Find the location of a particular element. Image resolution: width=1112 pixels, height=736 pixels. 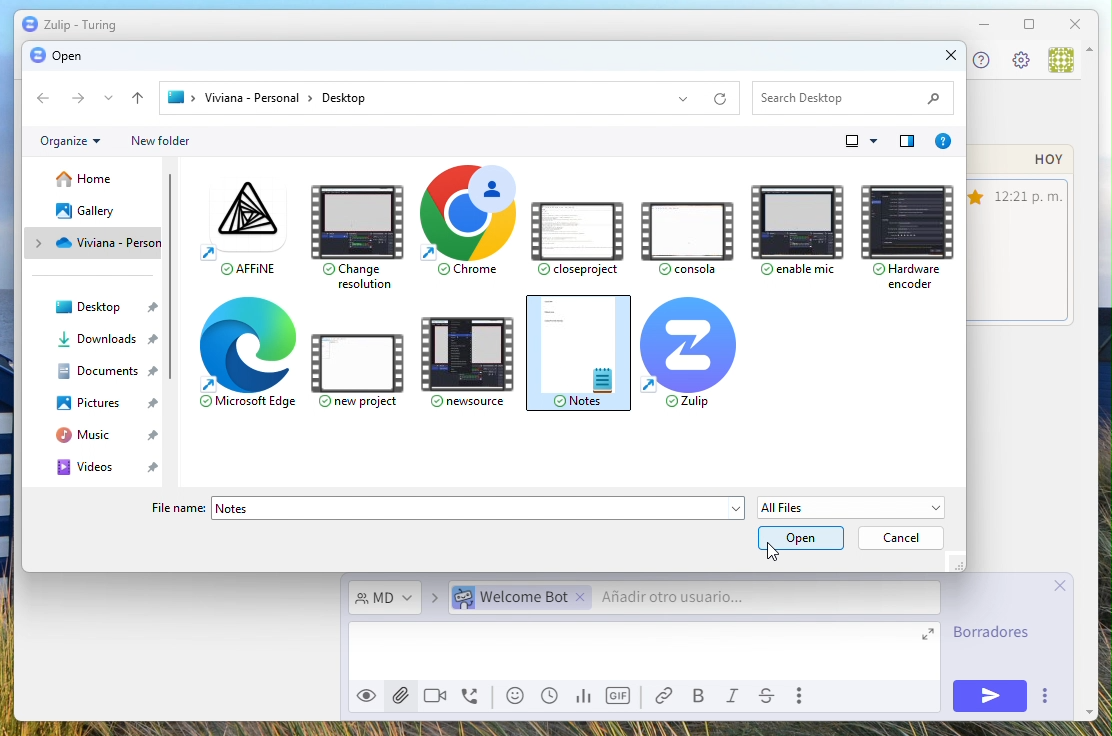

Downloads is located at coordinates (112, 339).